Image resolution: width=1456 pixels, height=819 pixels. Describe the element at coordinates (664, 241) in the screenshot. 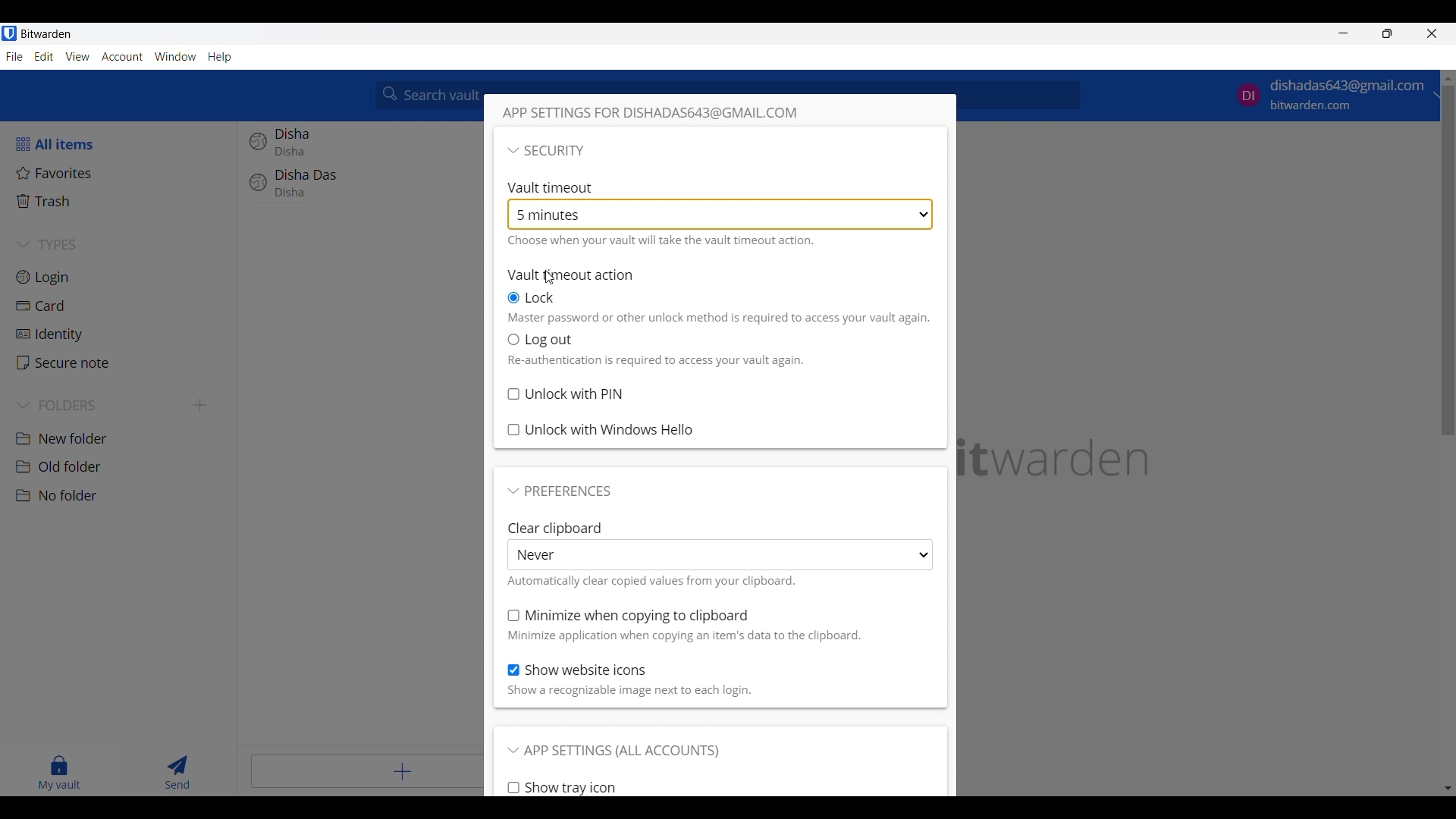

I see `Description of vault timeout` at that location.